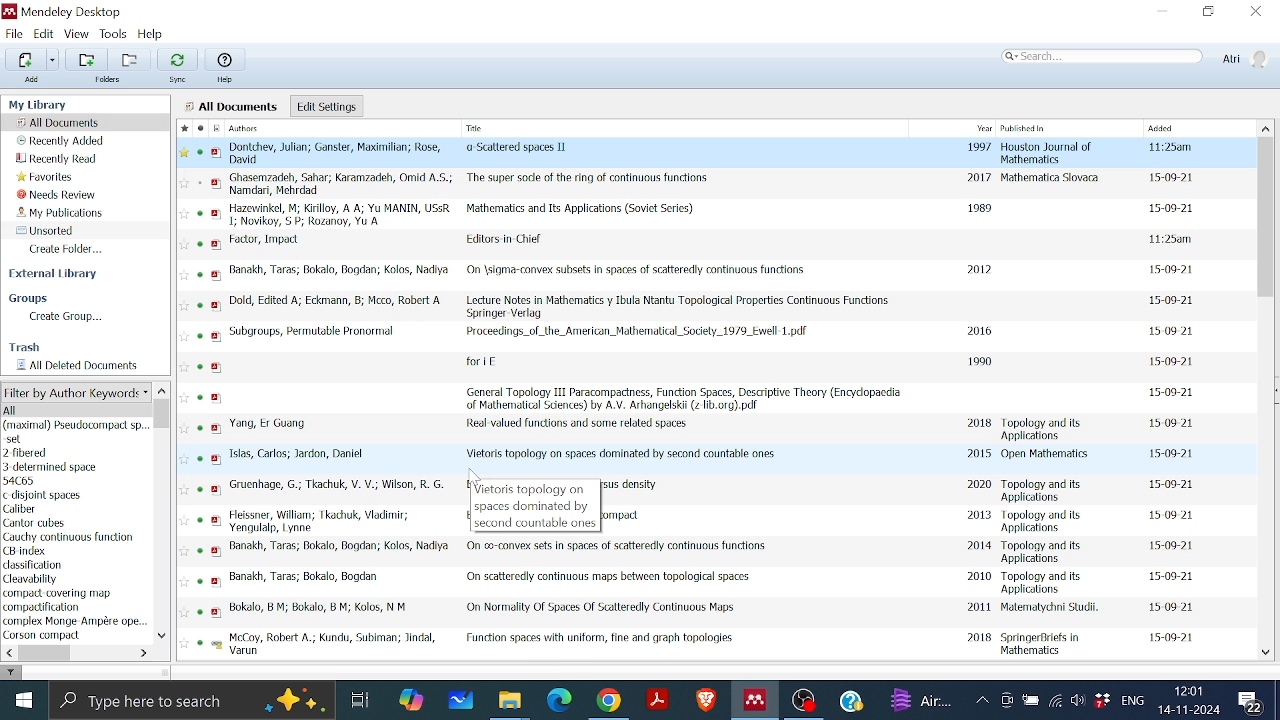 Image resolution: width=1280 pixels, height=720 pixels. Describe the element at coordinates (1045, 551) in the screenshot. I see `Published in` at that location.